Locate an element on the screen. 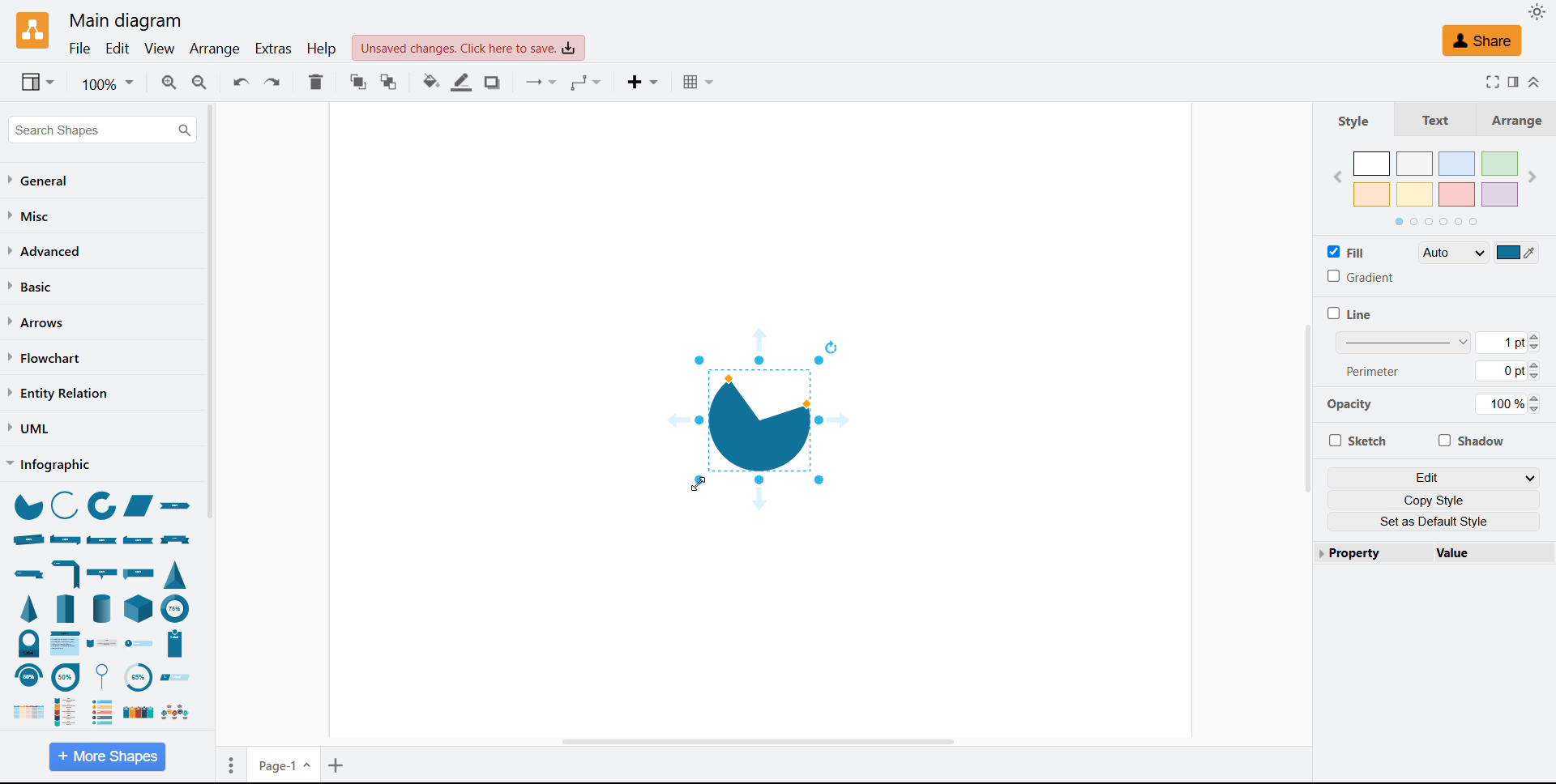  Arrange  is located at coordinates (216, 50).